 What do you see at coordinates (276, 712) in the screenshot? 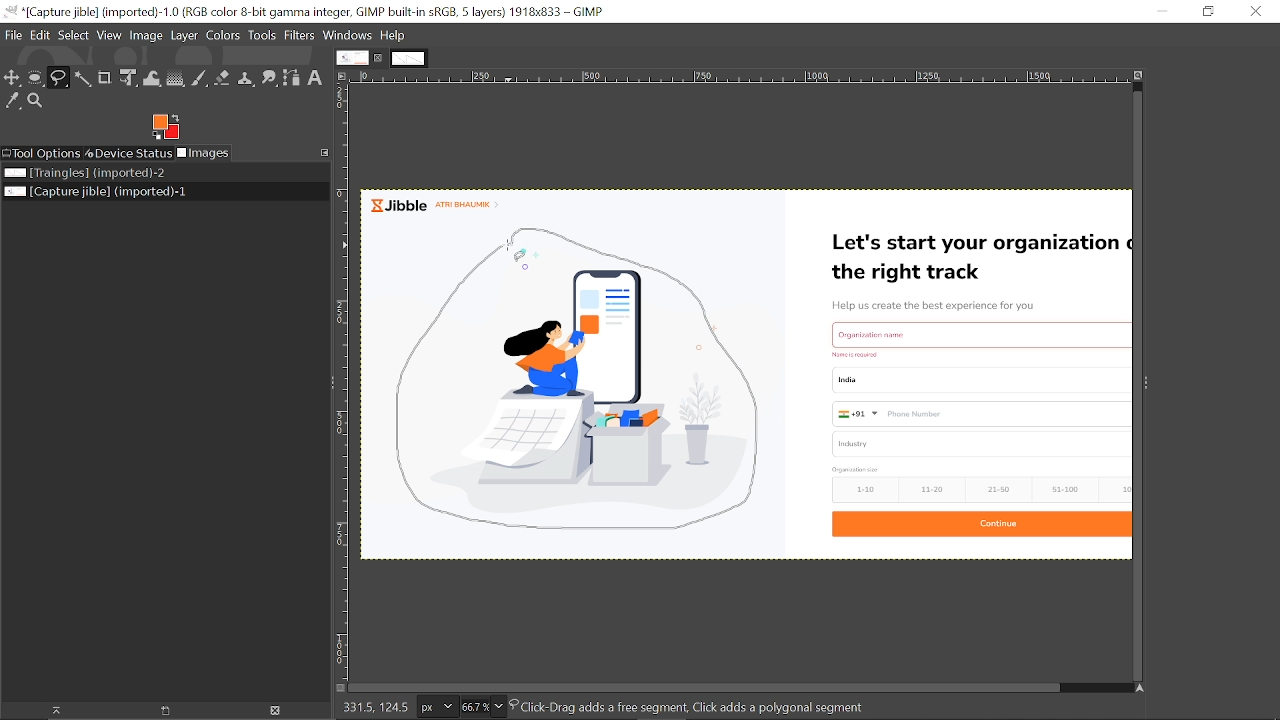
I see `Delete this image` at bounding box center [276, 712].